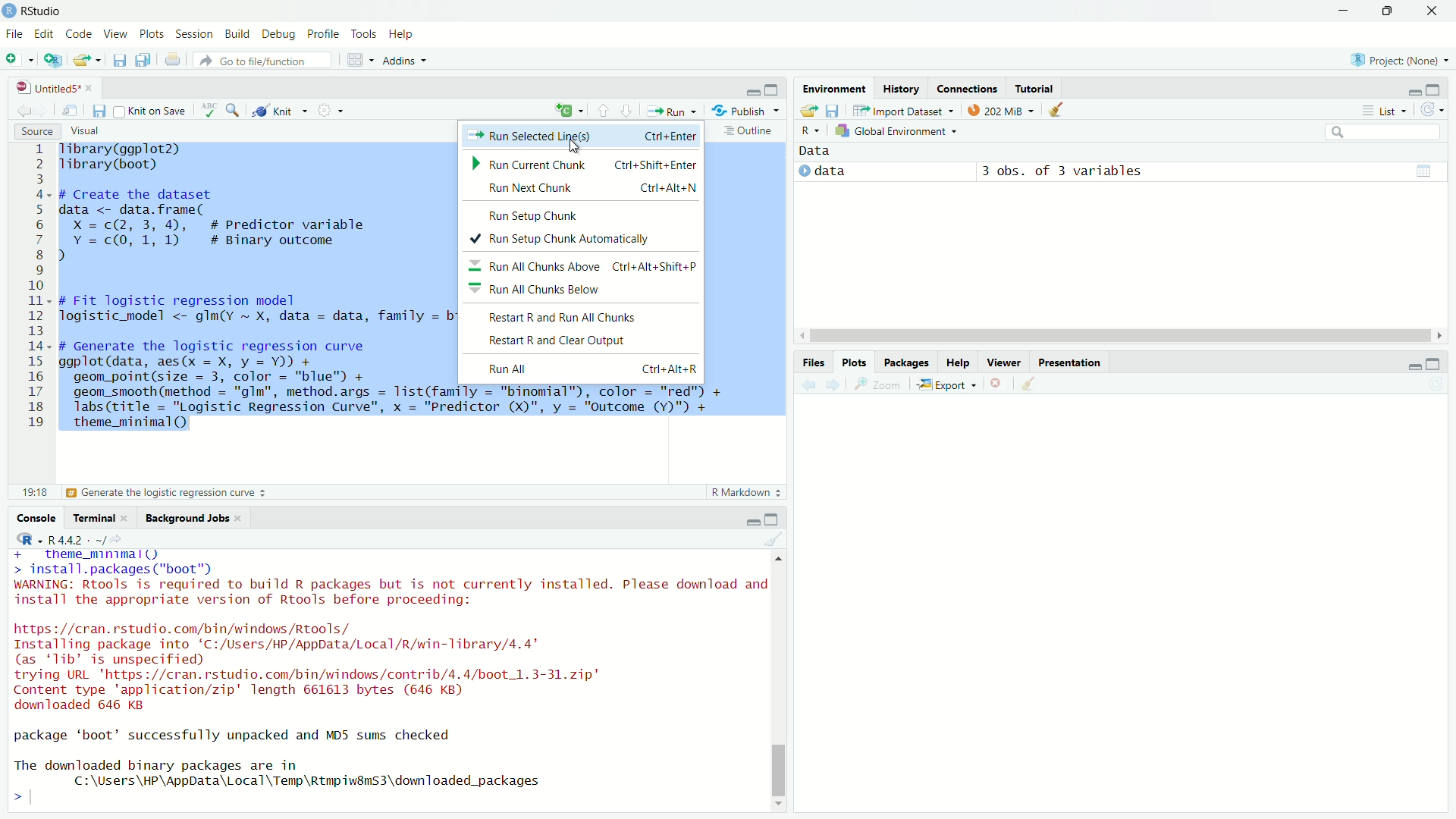 This screenshot has height=819, width=1456. I want to click on Restart R and Clear Output, so click(580, 340).